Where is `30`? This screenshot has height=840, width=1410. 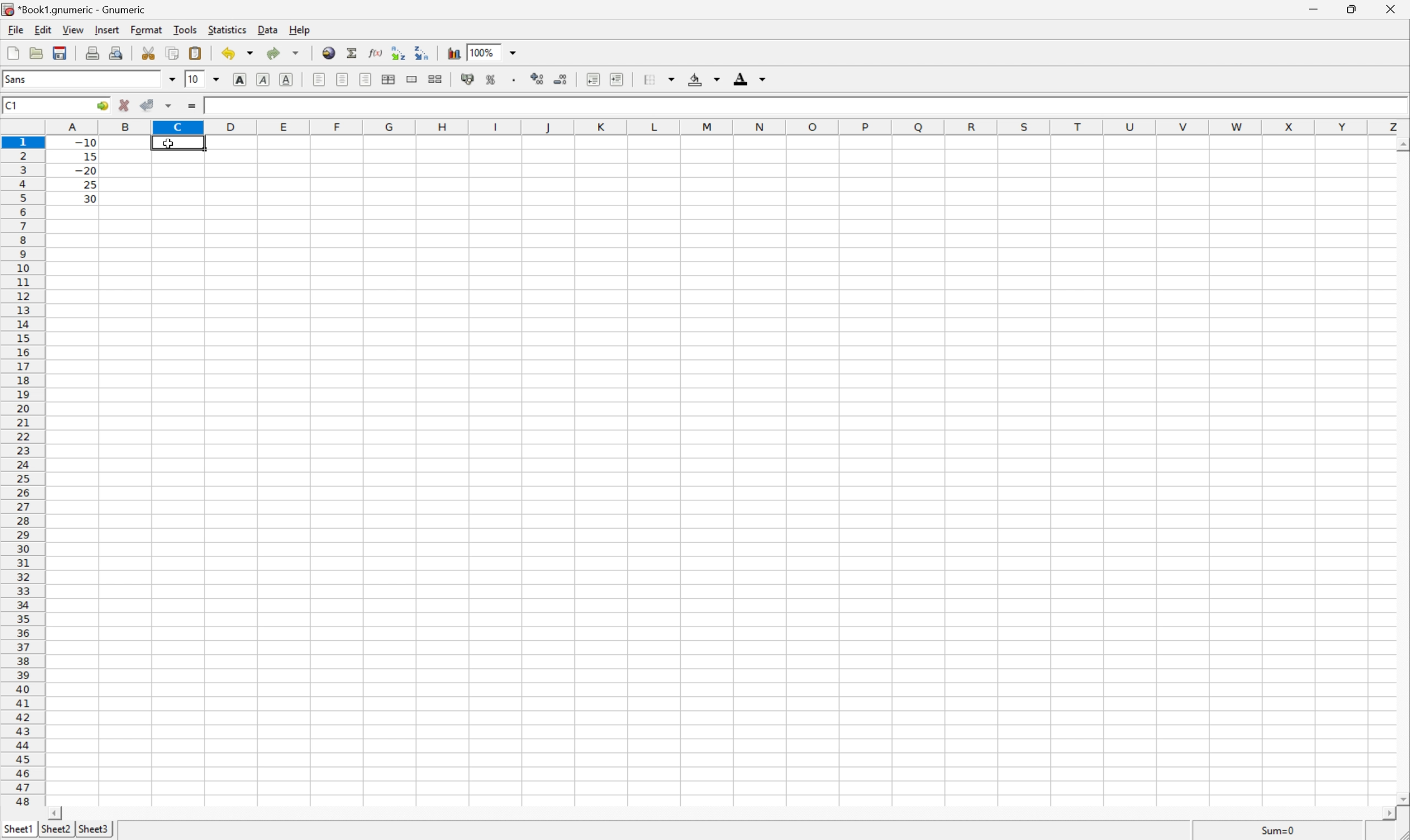
30 is located at coordinates (87, 198).